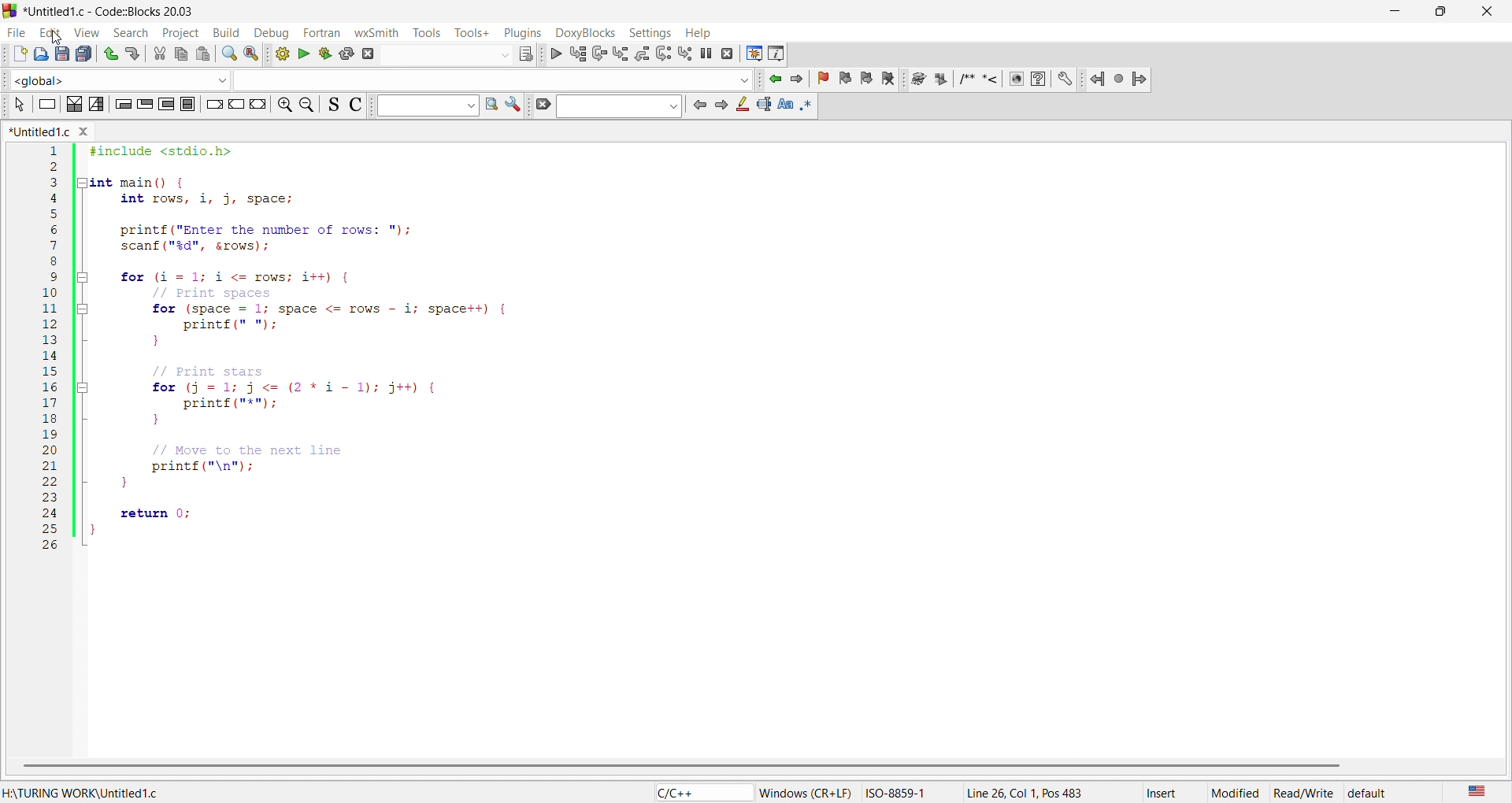 The image size is (1512, 803). Describe the element at coordinates (108, 54) in the screenshot. I see `undo` at that location.